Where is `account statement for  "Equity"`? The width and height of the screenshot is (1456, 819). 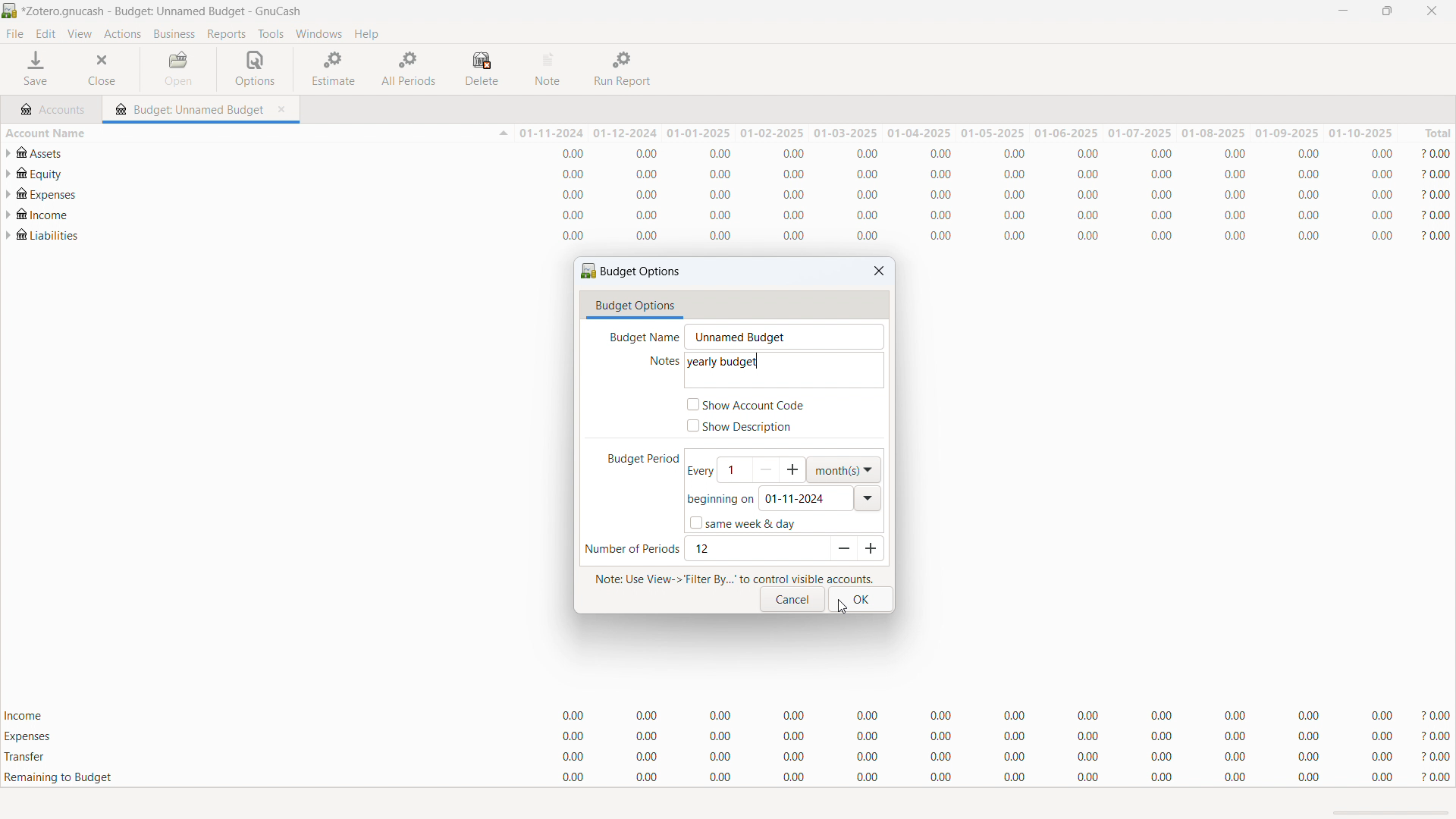
account statement for  "Equity" is located at coordinates (739, 174).